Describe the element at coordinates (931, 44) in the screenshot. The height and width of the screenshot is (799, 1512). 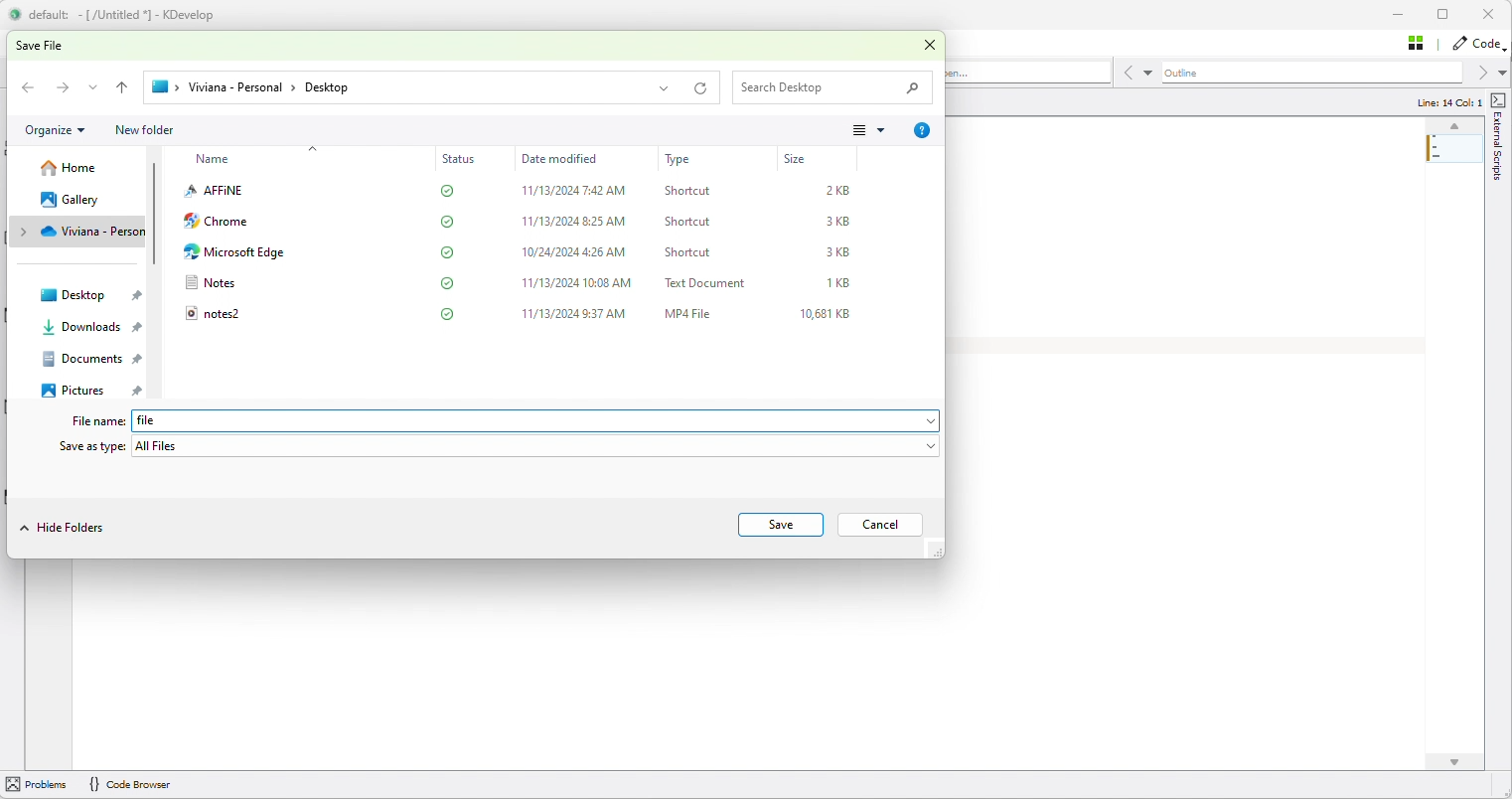
I see `Close` at that location.